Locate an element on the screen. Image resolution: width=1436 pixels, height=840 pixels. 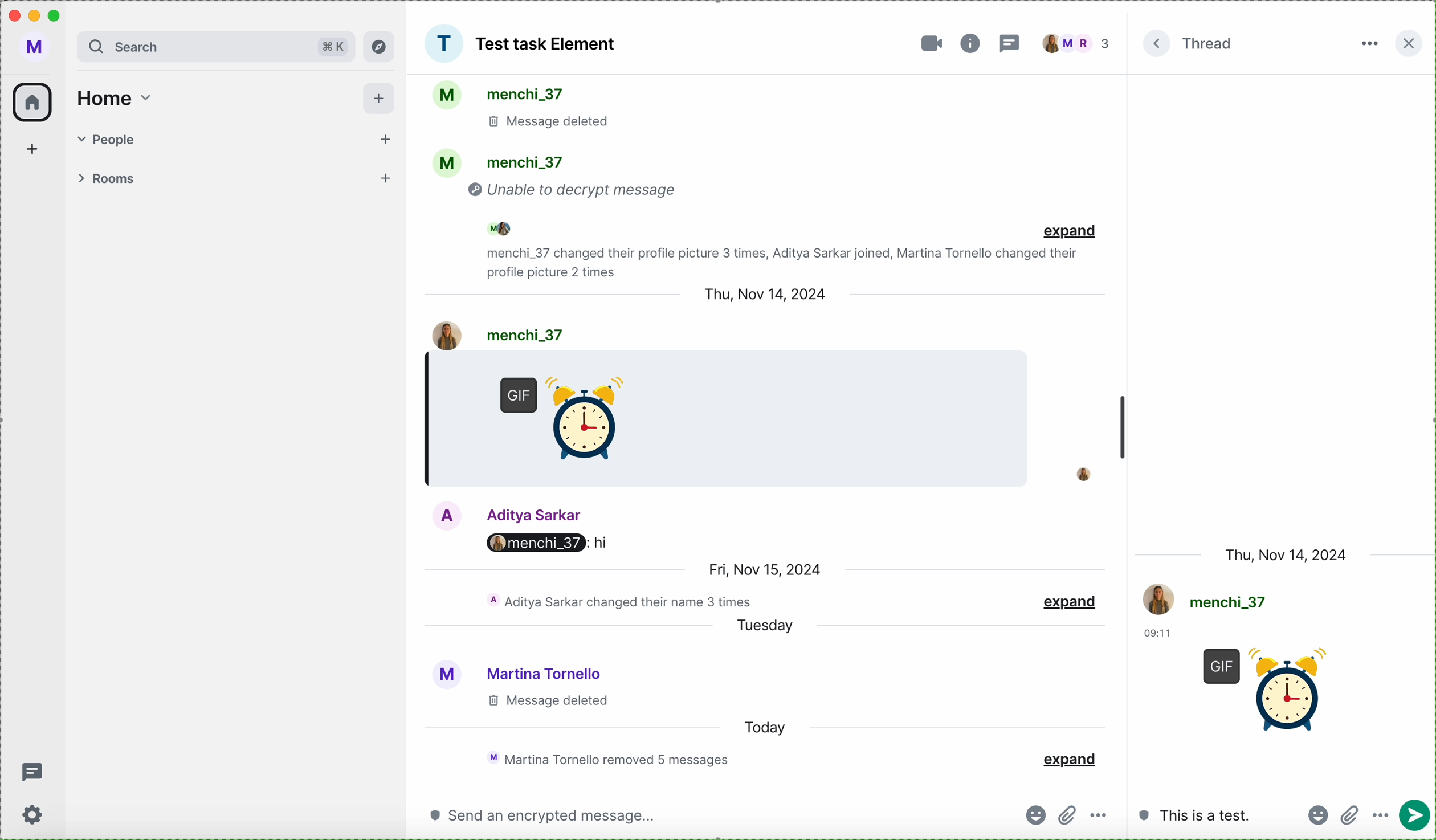
attach file is located at coordinates (1384, 817).